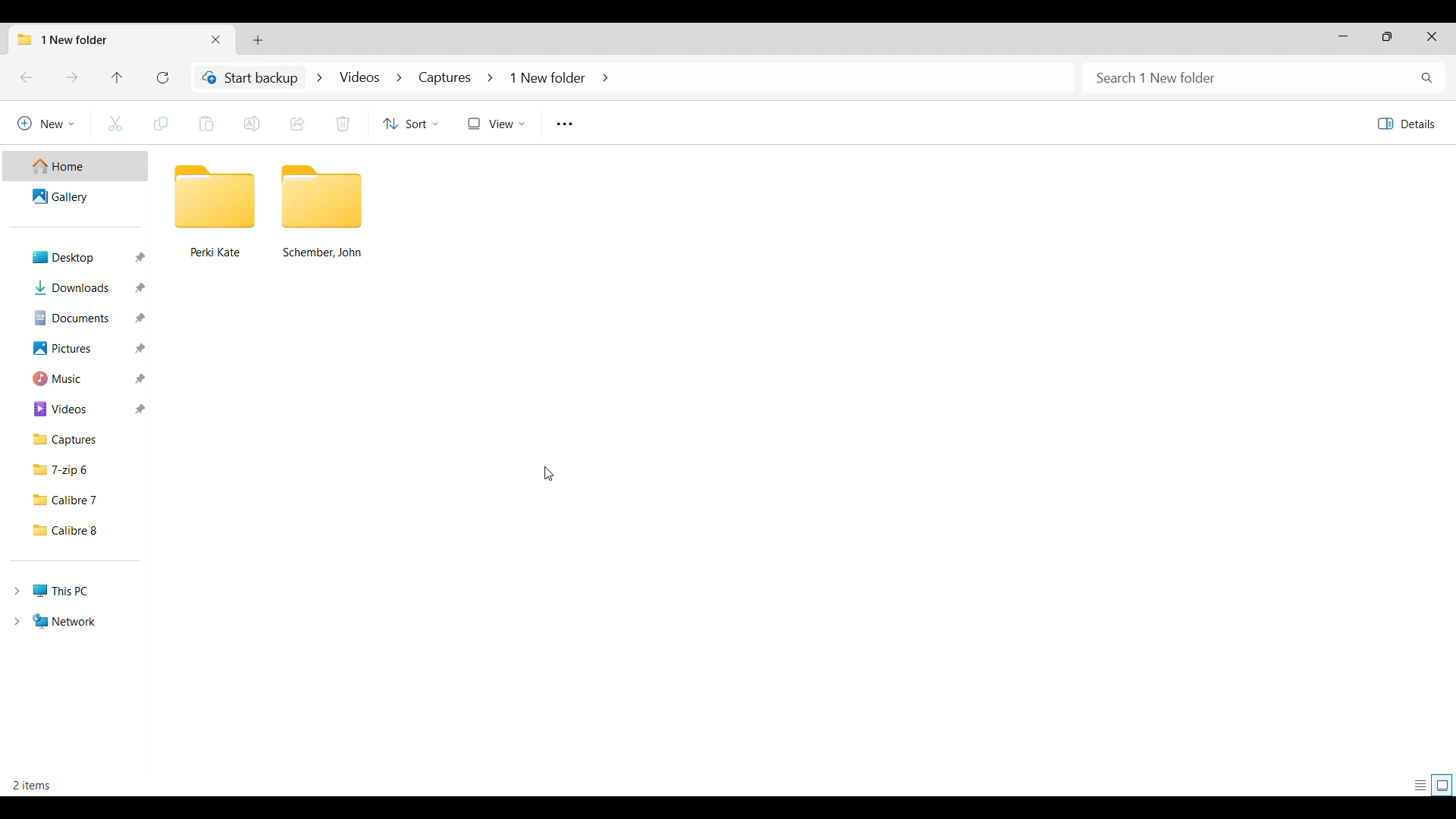  I want to click on Go forward, so click(71, 77).